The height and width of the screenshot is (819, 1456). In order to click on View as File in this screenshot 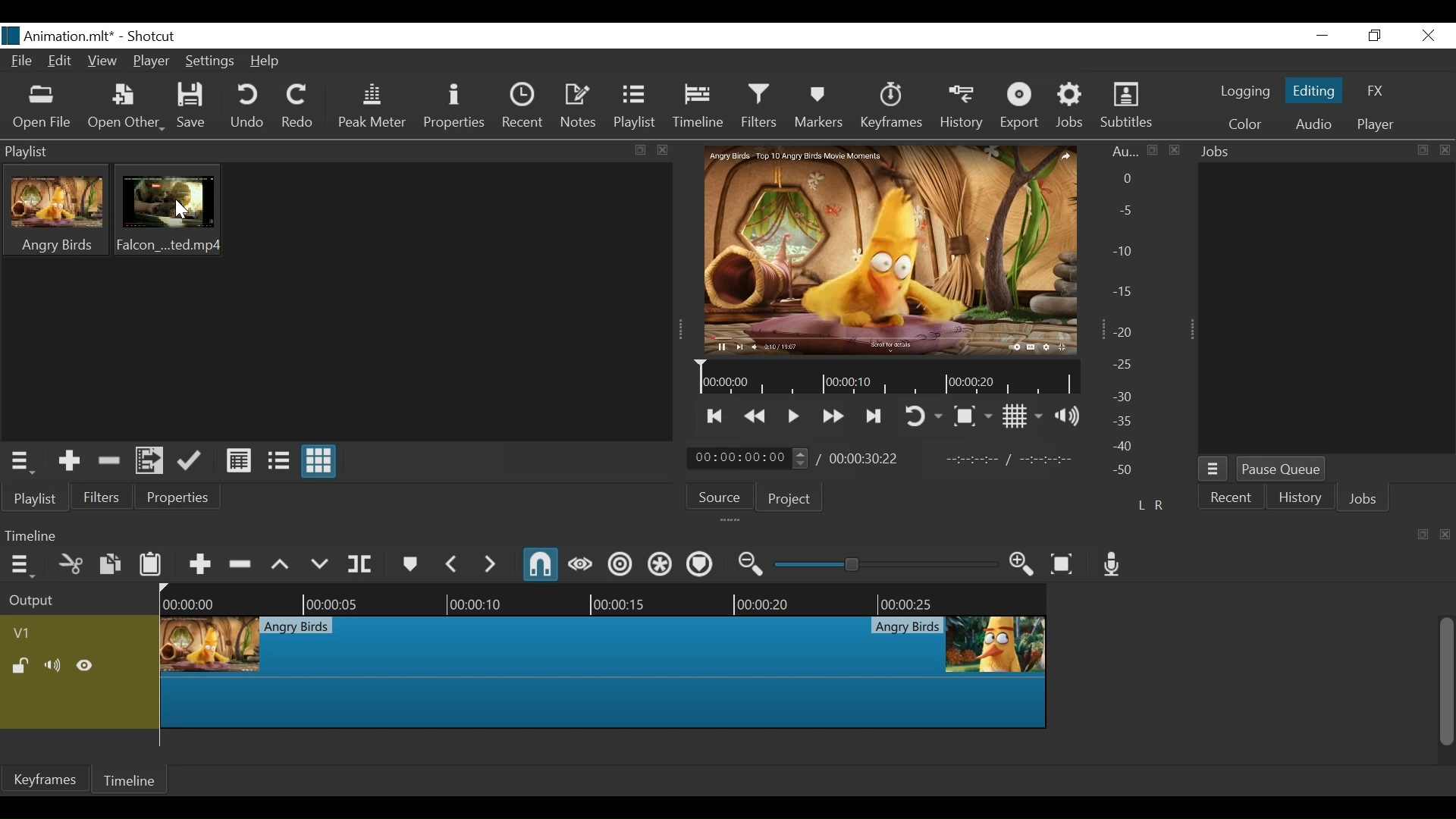, I will do `click(278, 462)`.